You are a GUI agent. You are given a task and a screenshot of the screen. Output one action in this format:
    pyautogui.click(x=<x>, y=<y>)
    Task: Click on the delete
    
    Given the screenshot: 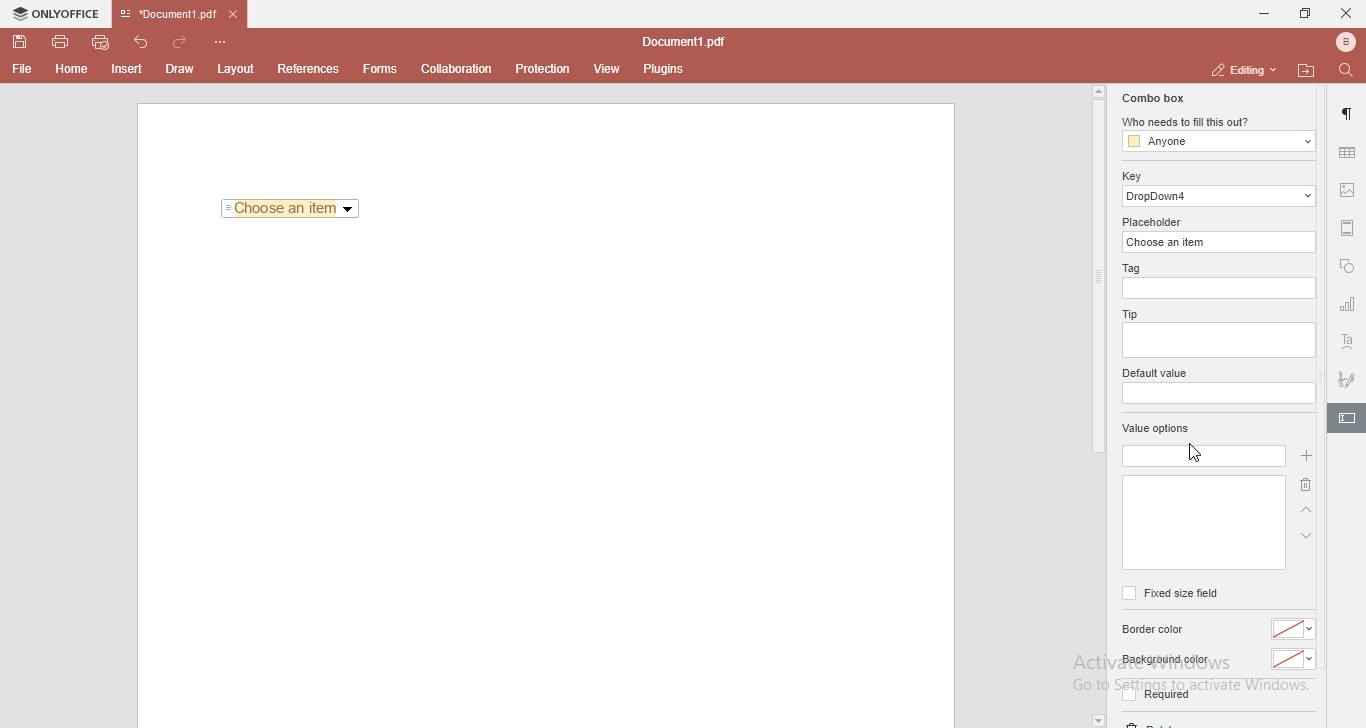 What is the action you would take?
    pyautogui.click(x=1303, y=488)
    